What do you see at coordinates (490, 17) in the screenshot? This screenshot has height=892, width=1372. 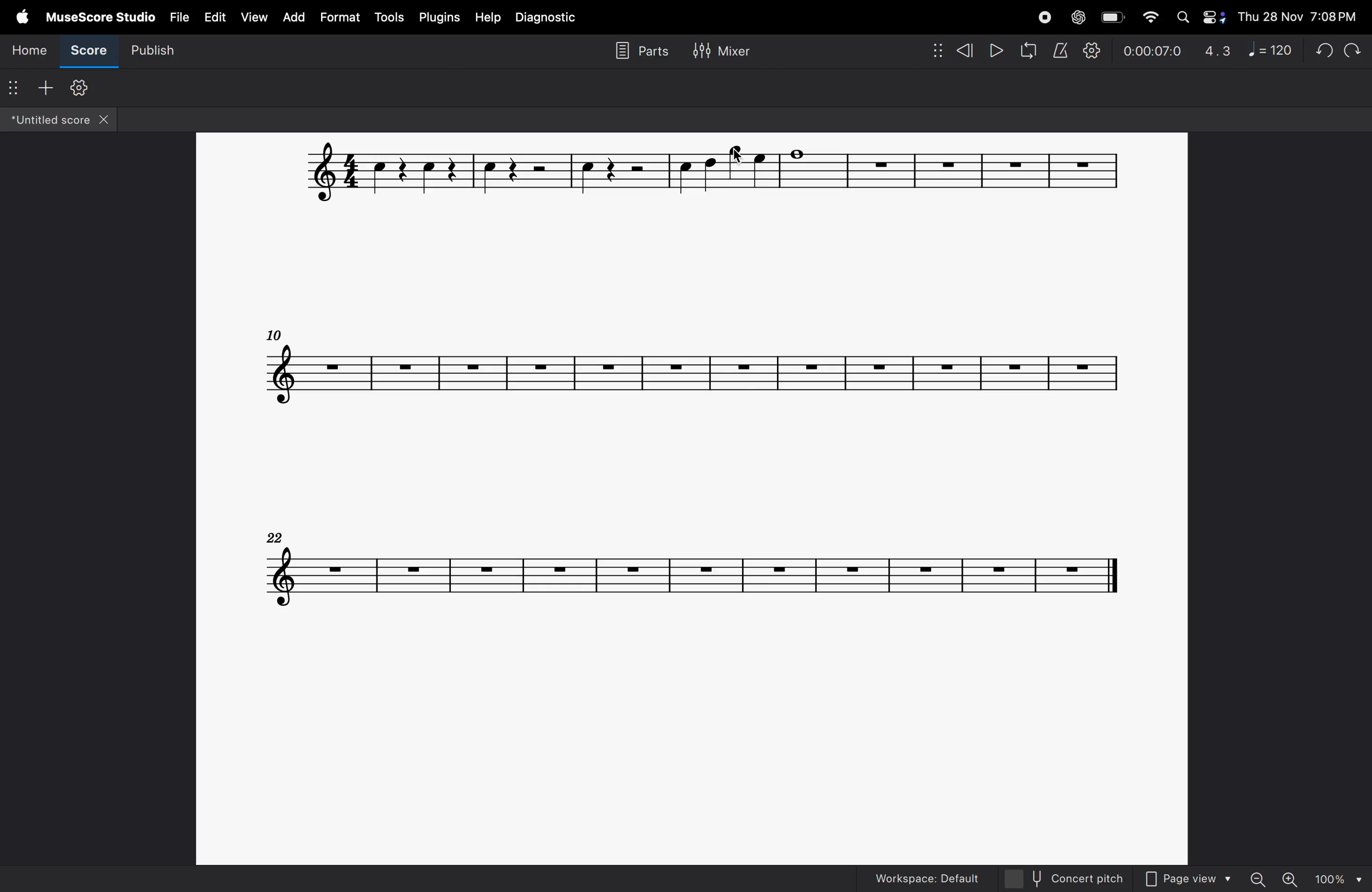 I see `help` at bounding box center [490, 17].